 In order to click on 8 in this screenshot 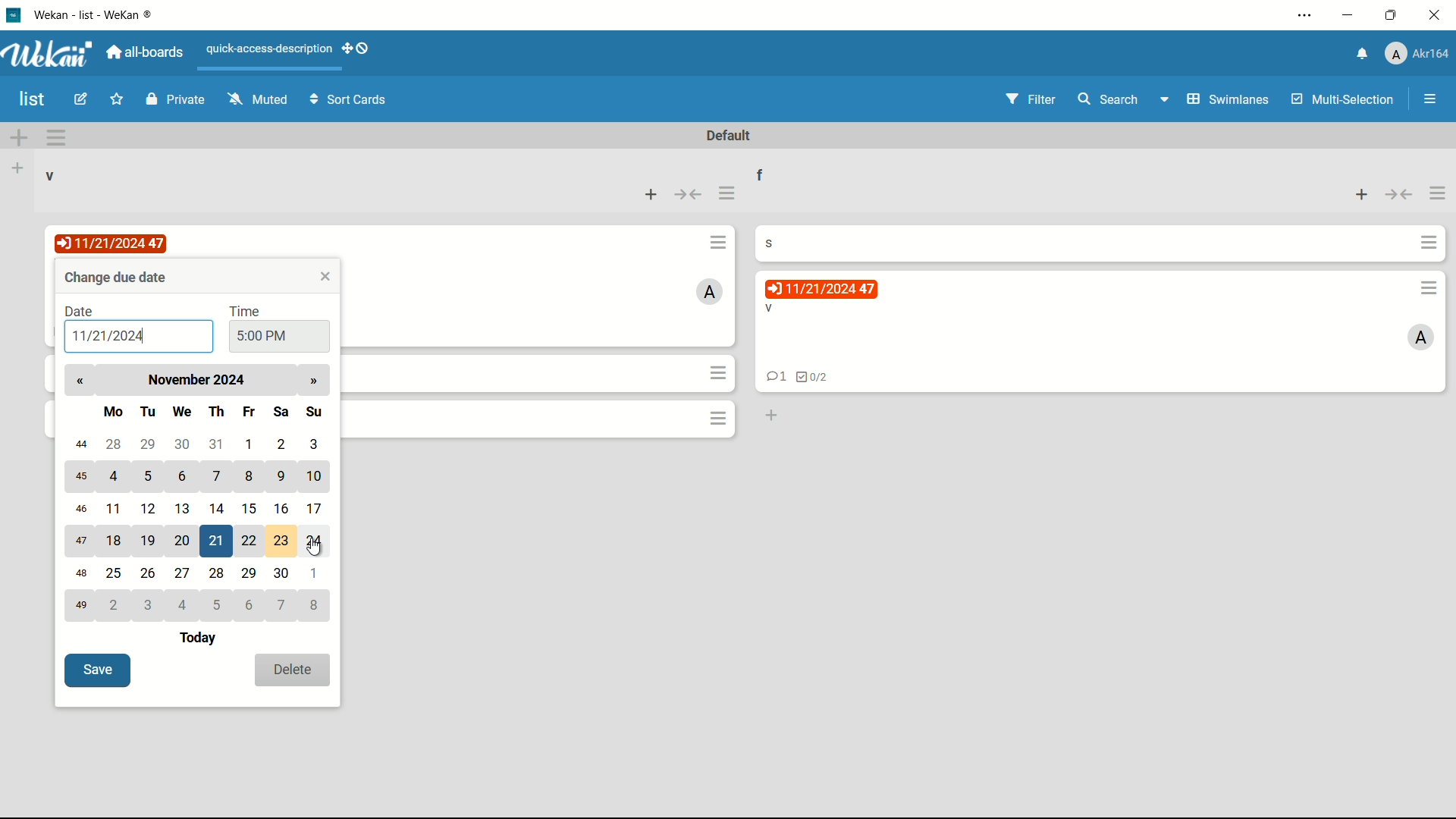, I will do `click(251, 478)`.